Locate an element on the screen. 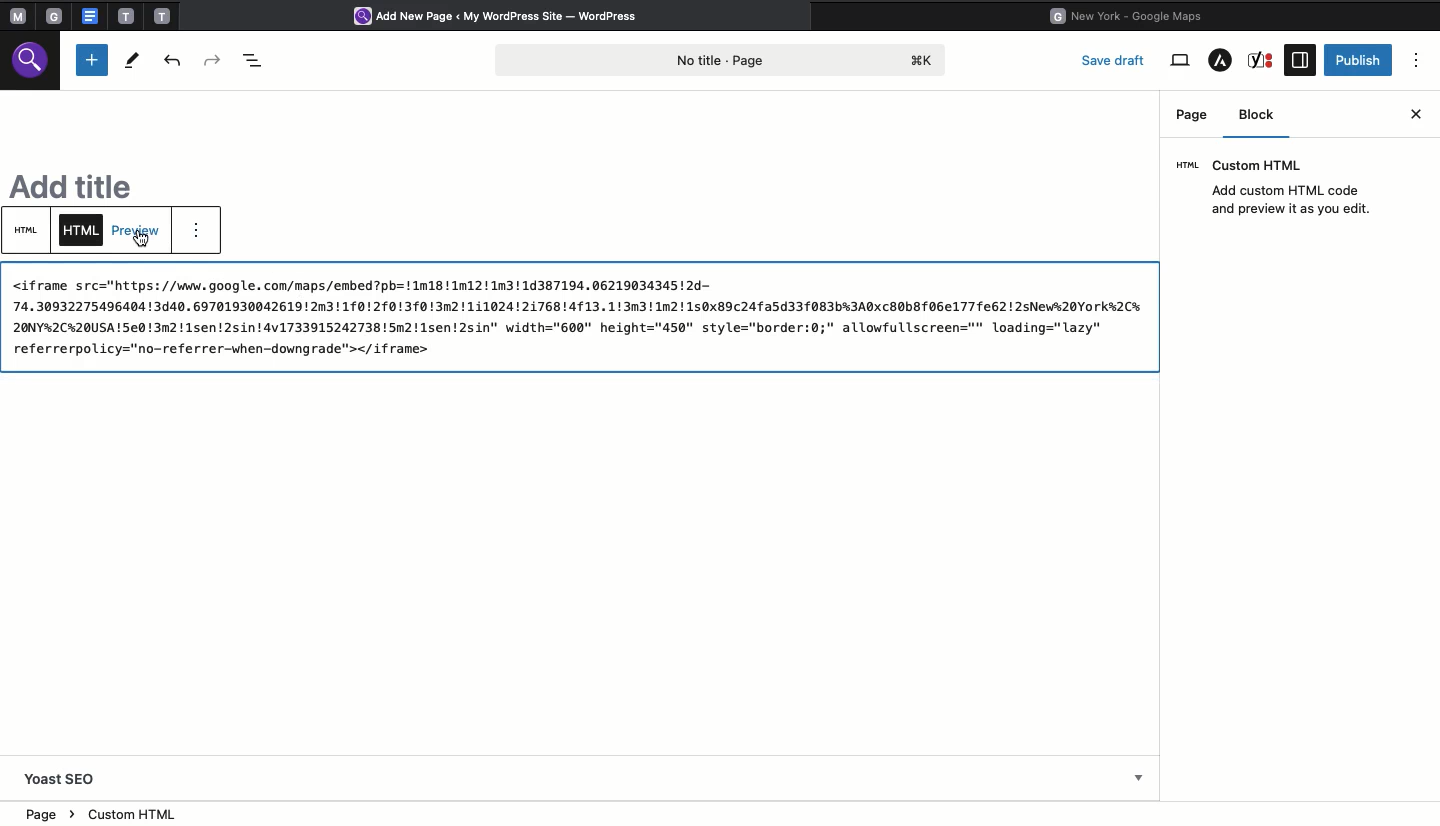 The width and height of the screenshot is (1440, 826). Astra is located at coordinates (1220, 62).